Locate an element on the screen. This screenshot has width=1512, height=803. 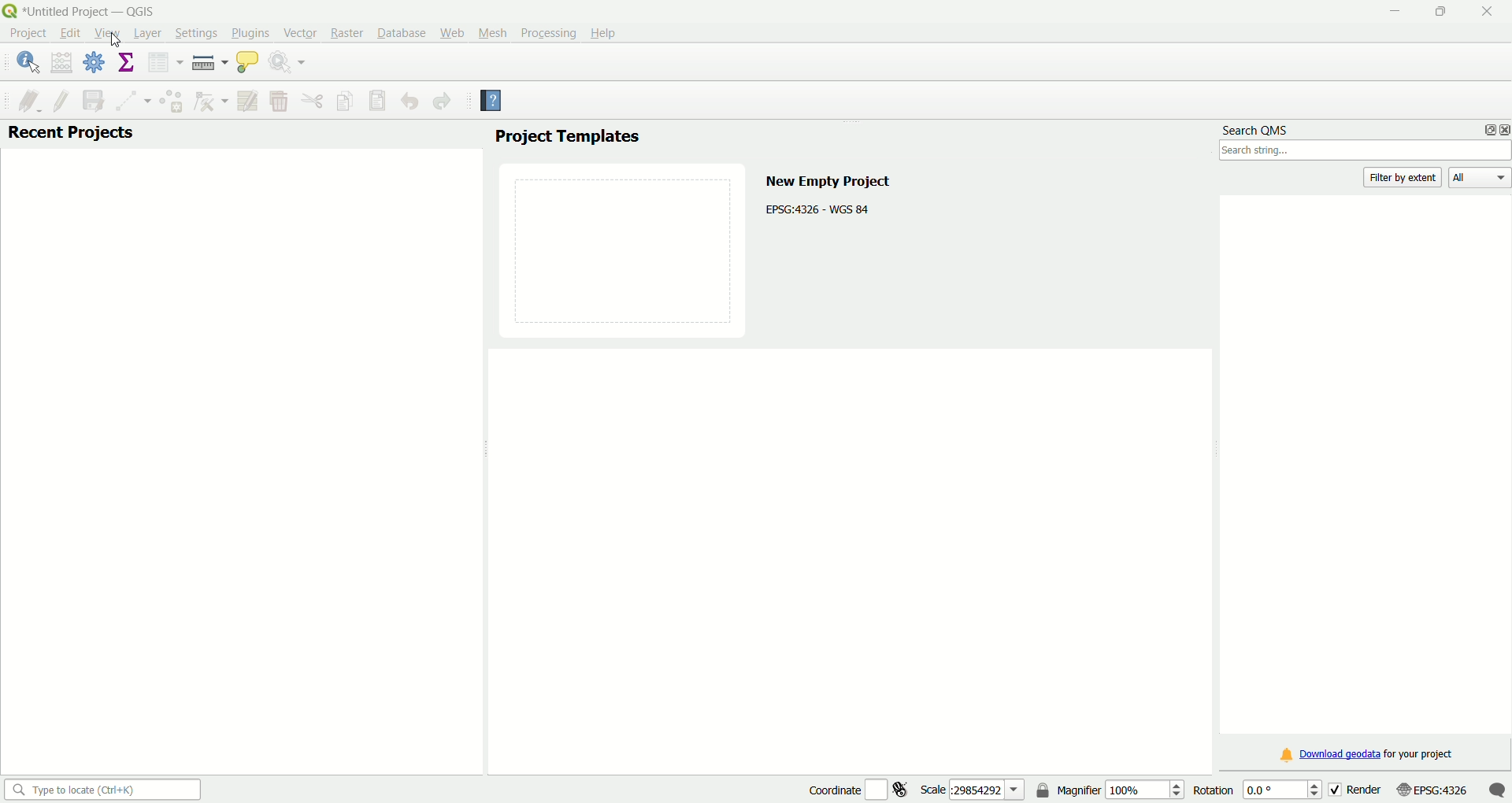
open attribute table is located at coordinates (163, 63).